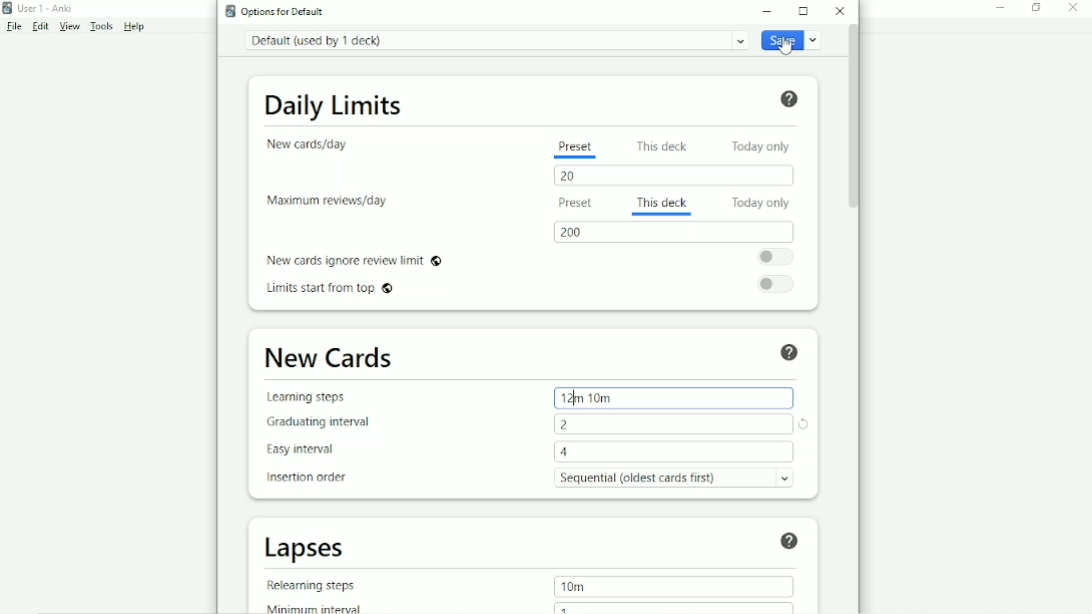 This screenshot has height=614, width=1092. What do you see at coordinates (568, 608) in the screenshot?
I see `1` at bounding box center [568, 608].